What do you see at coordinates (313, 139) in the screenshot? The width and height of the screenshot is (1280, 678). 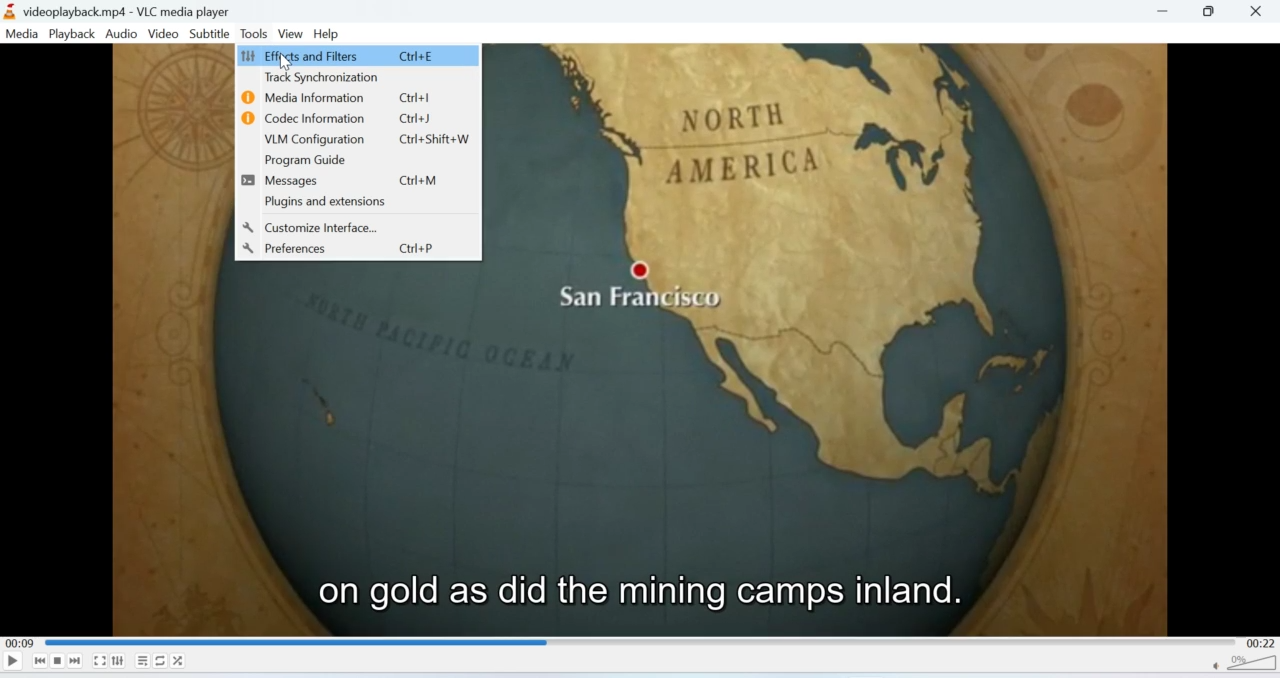 I see `VLM Configuration` at bounding box center [313, 139].